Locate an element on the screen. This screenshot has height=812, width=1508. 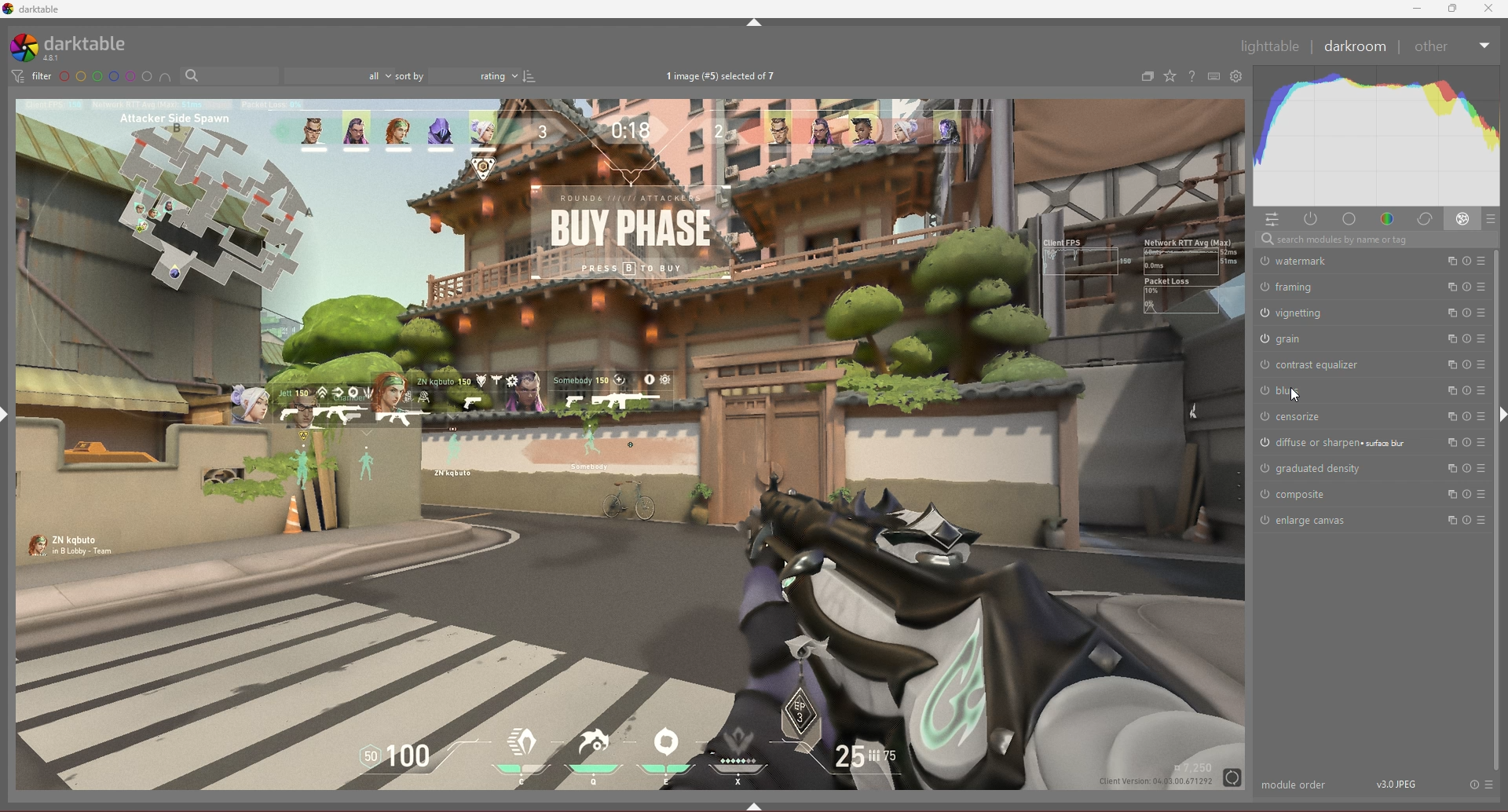
multiple instances action is located at coordinates (1448, 262).